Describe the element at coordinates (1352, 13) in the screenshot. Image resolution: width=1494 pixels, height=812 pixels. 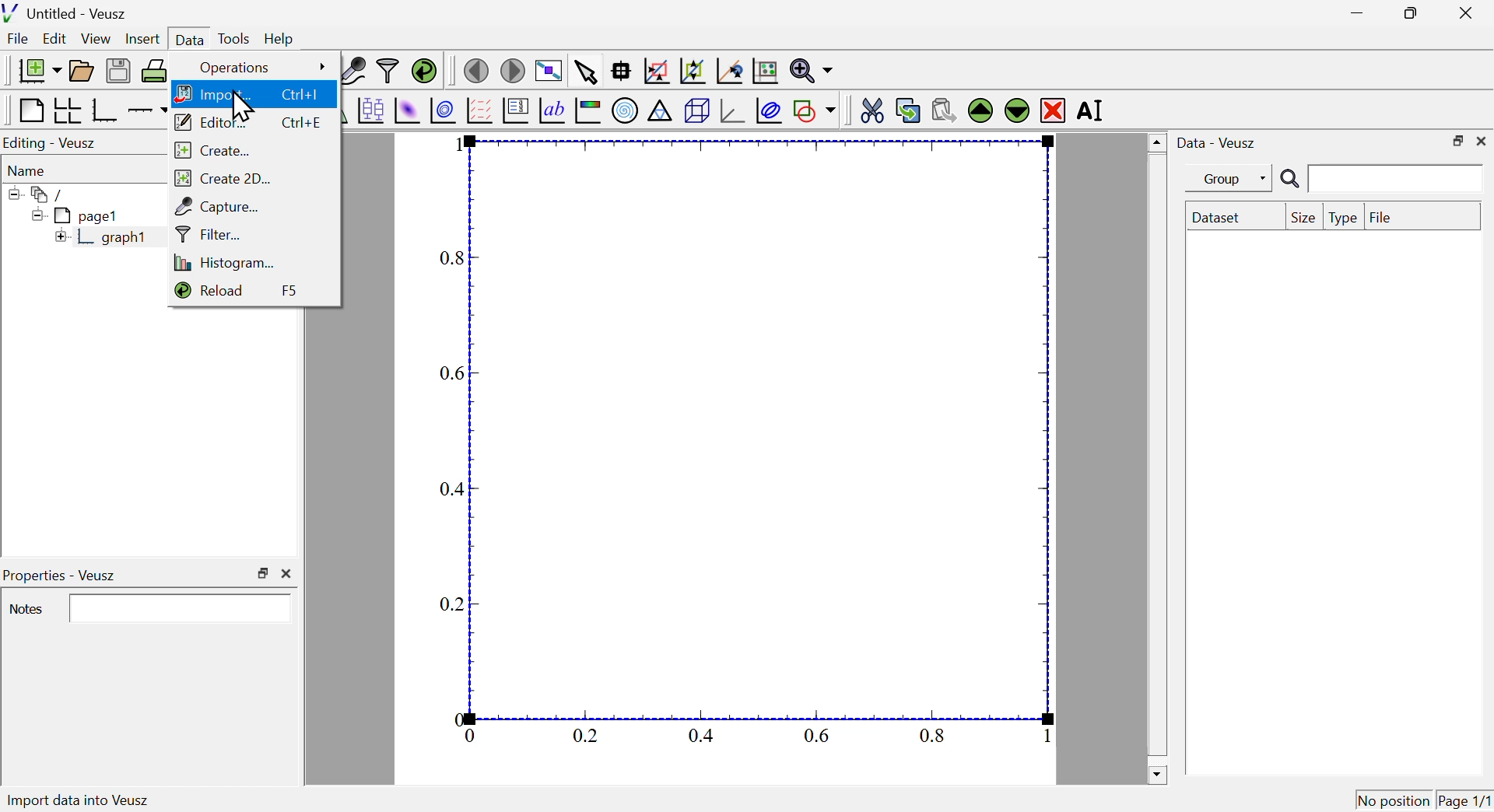
I see `minimize` at that location.